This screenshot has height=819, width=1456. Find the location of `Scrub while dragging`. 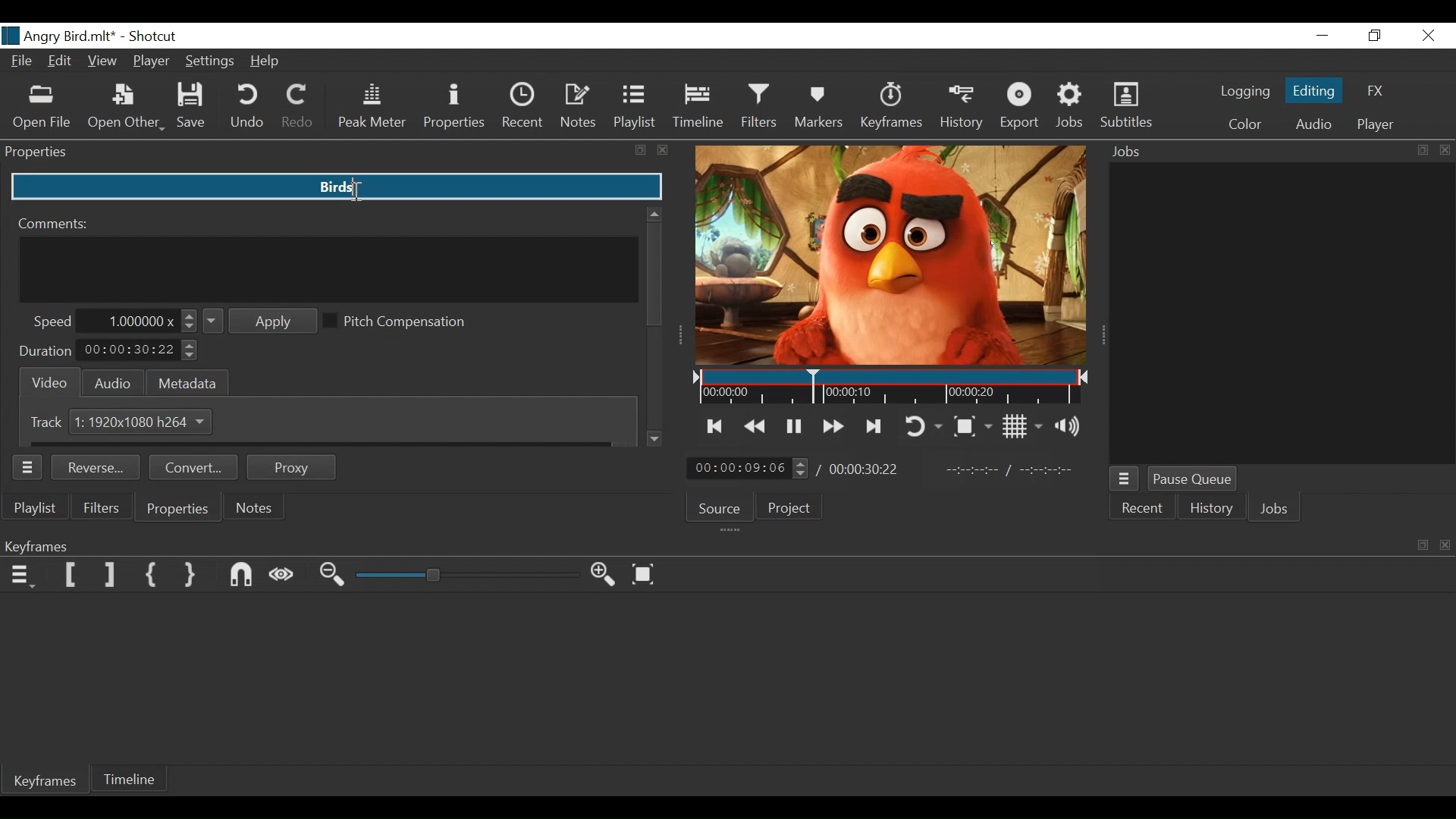

Scrub while dragging is located at coordinates (285, 575).